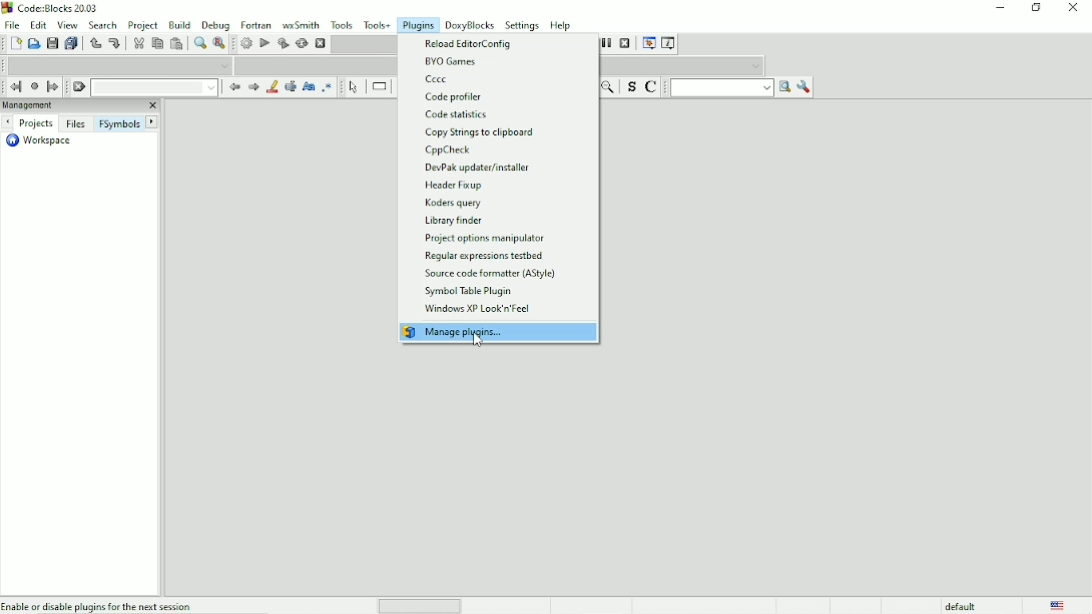 Image resolution: width=1092 pixels, height=614 pixels. Describe the element at coordinates (377, 24) in the screenshot. I see `Tools+` at that location.